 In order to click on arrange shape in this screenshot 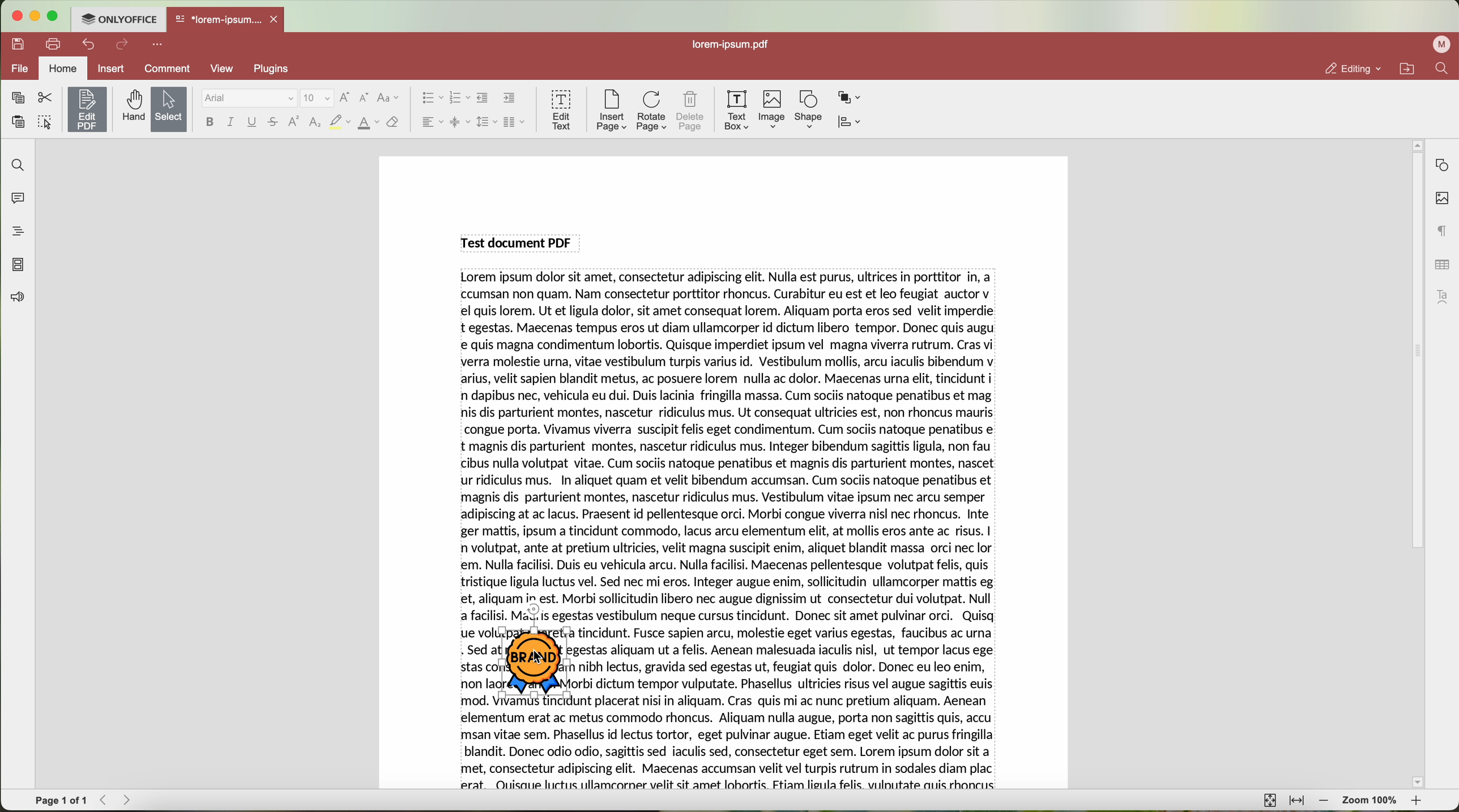, I will do `click(850, 98)`.